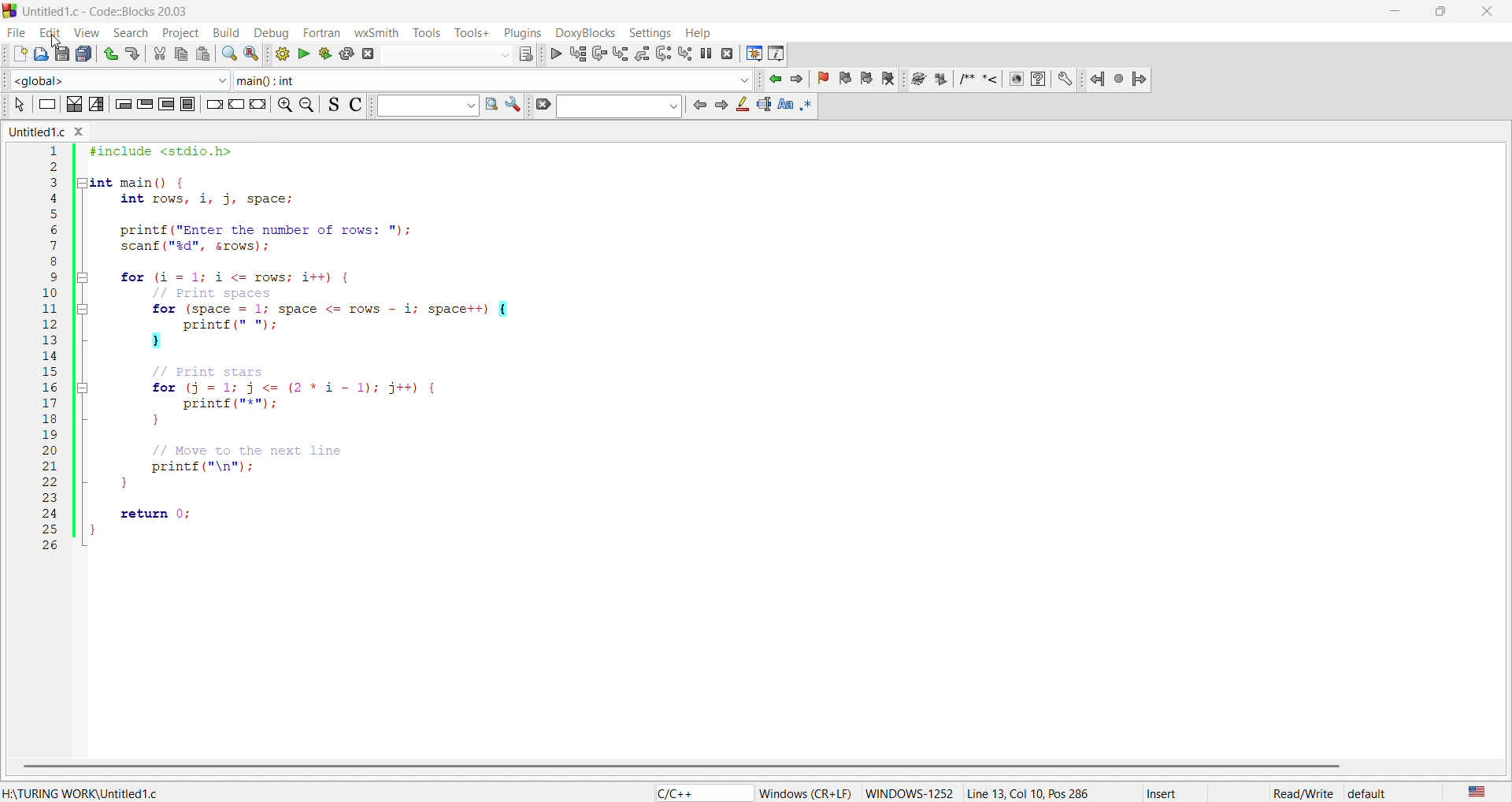 The width and height of the screenshot is (1512, 802). Describe the element at coordinates (177, 55) in the screenshot. I see `copy` at that location.